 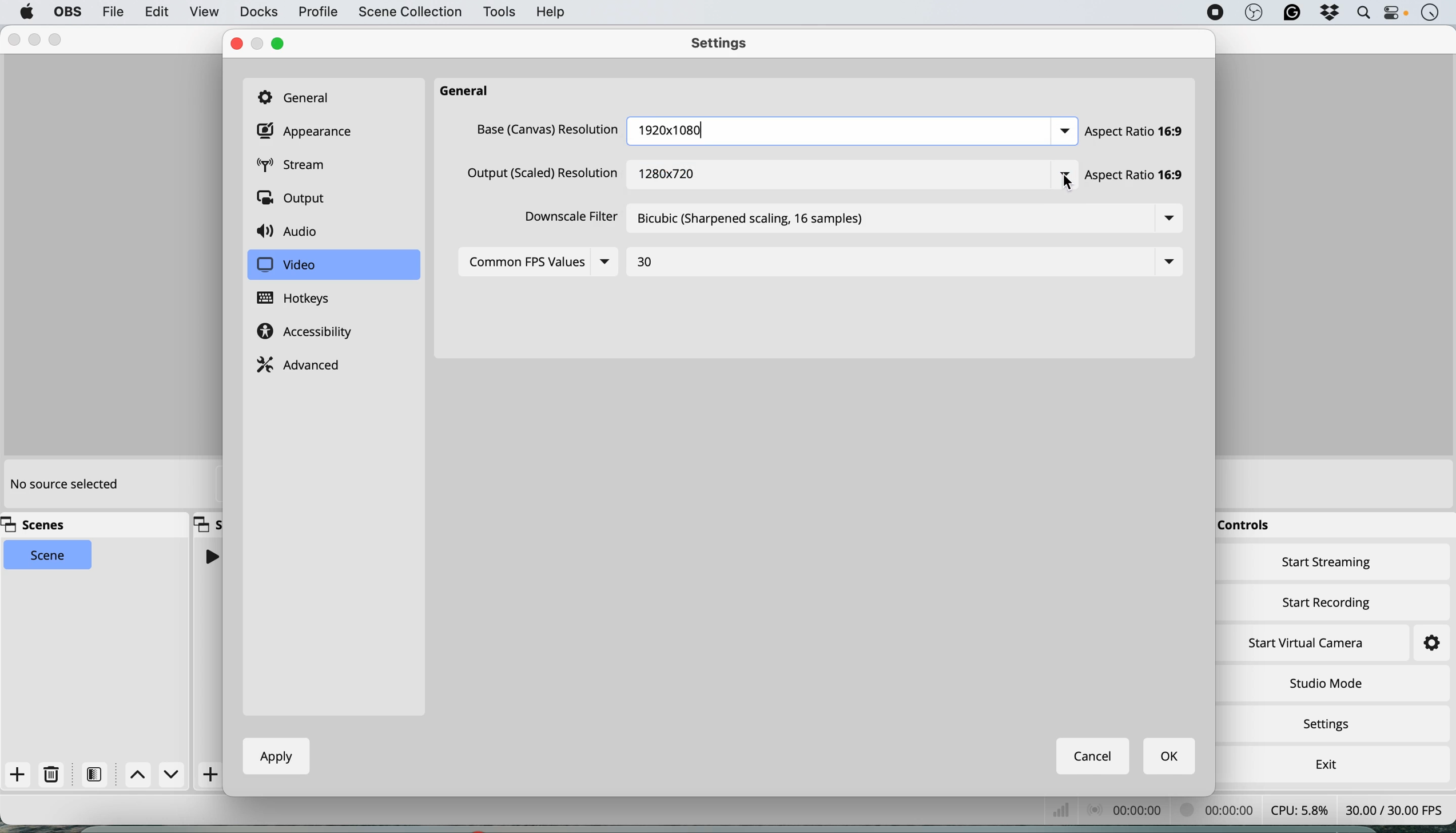 What do you see at coordinates (498, 13) in the screenshot?
I see `tools` at bounding box center [498, 13].